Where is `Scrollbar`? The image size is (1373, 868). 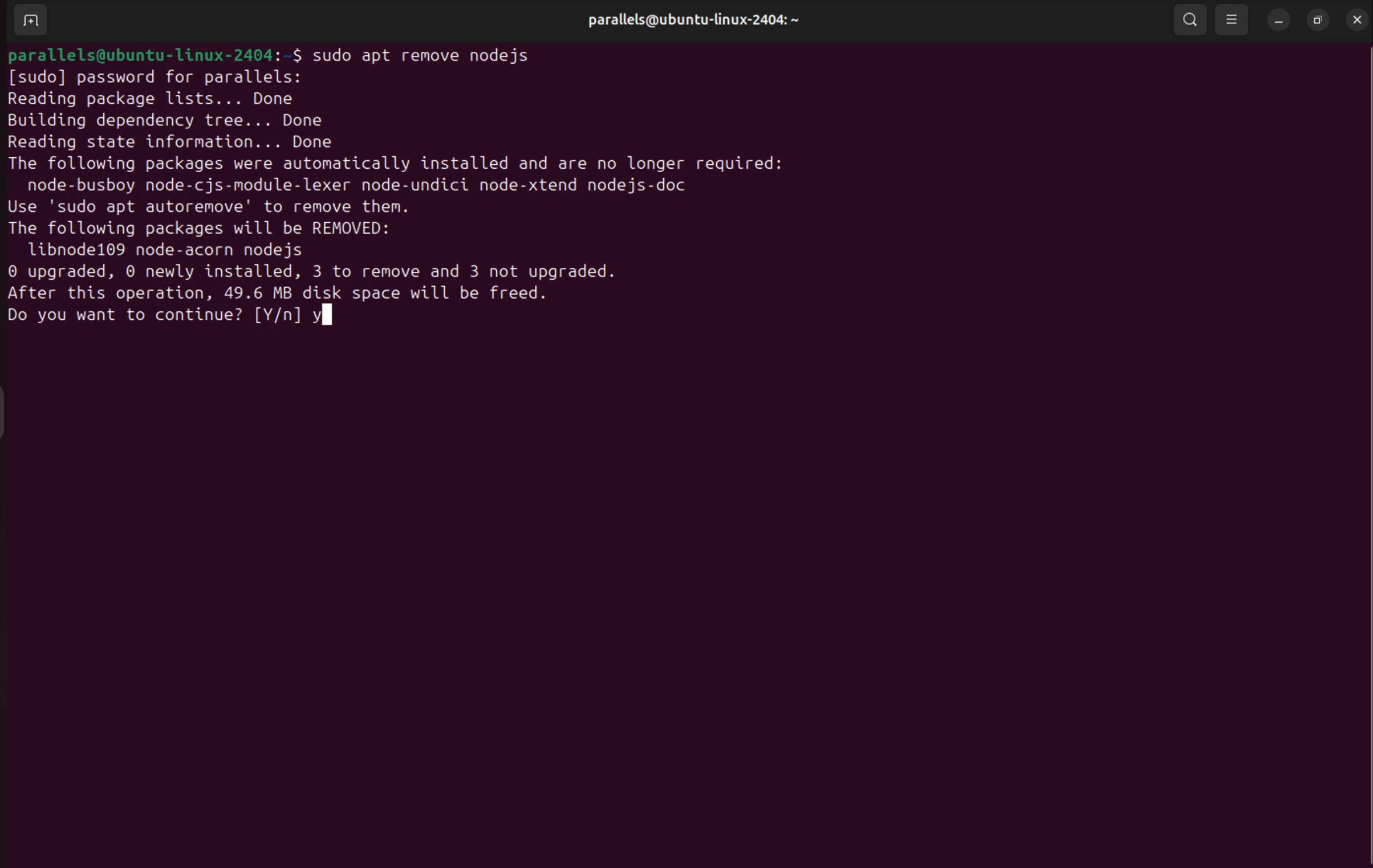
Scrollbar is located at coordinates (1359, 424).